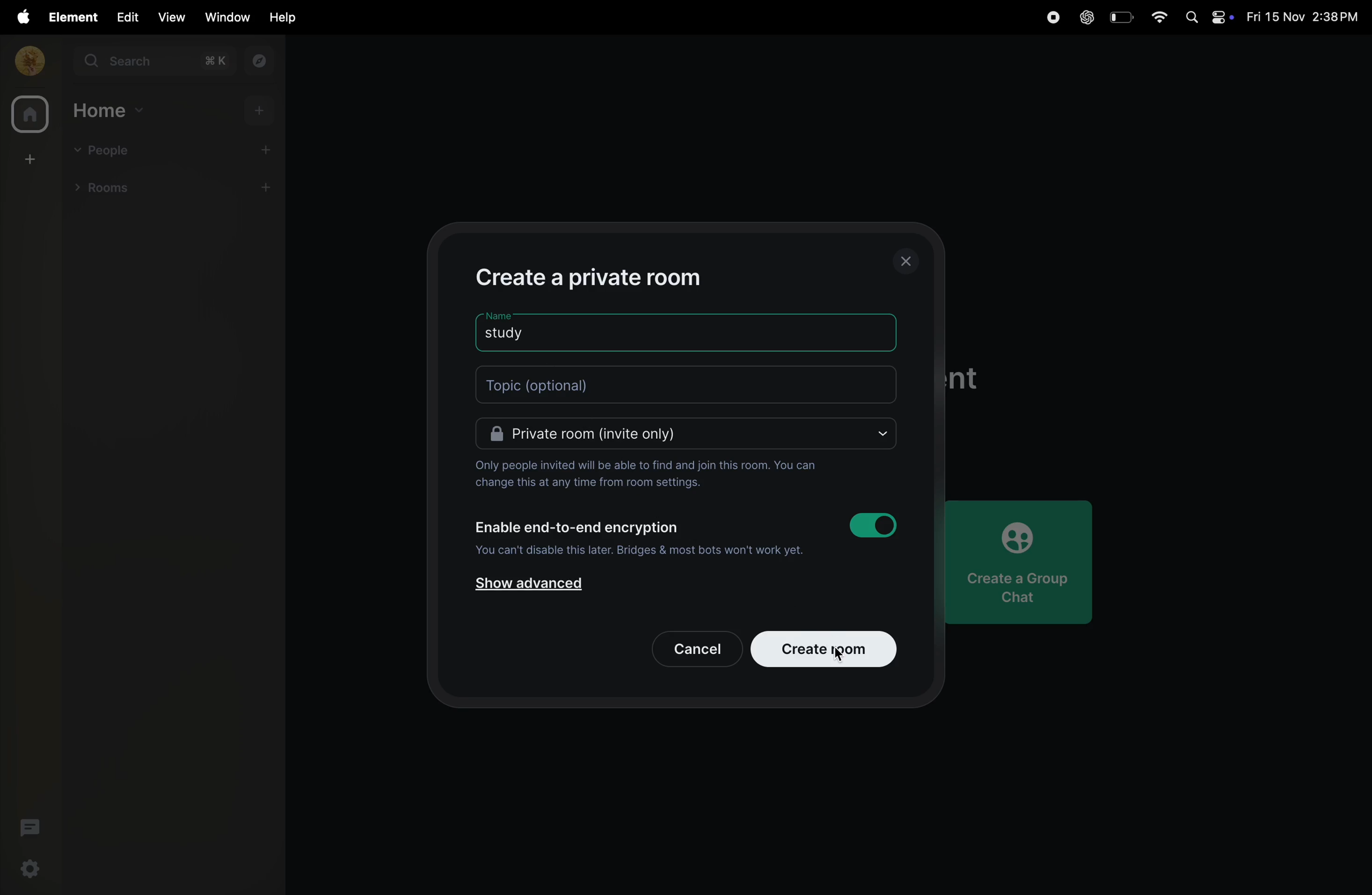 Image resolution: width=1372 pixels, height=895 pixels. What do you see at coordinates (1306, 17) in the screenshot?
I see `date and time` at bounding box center [1306, 17].